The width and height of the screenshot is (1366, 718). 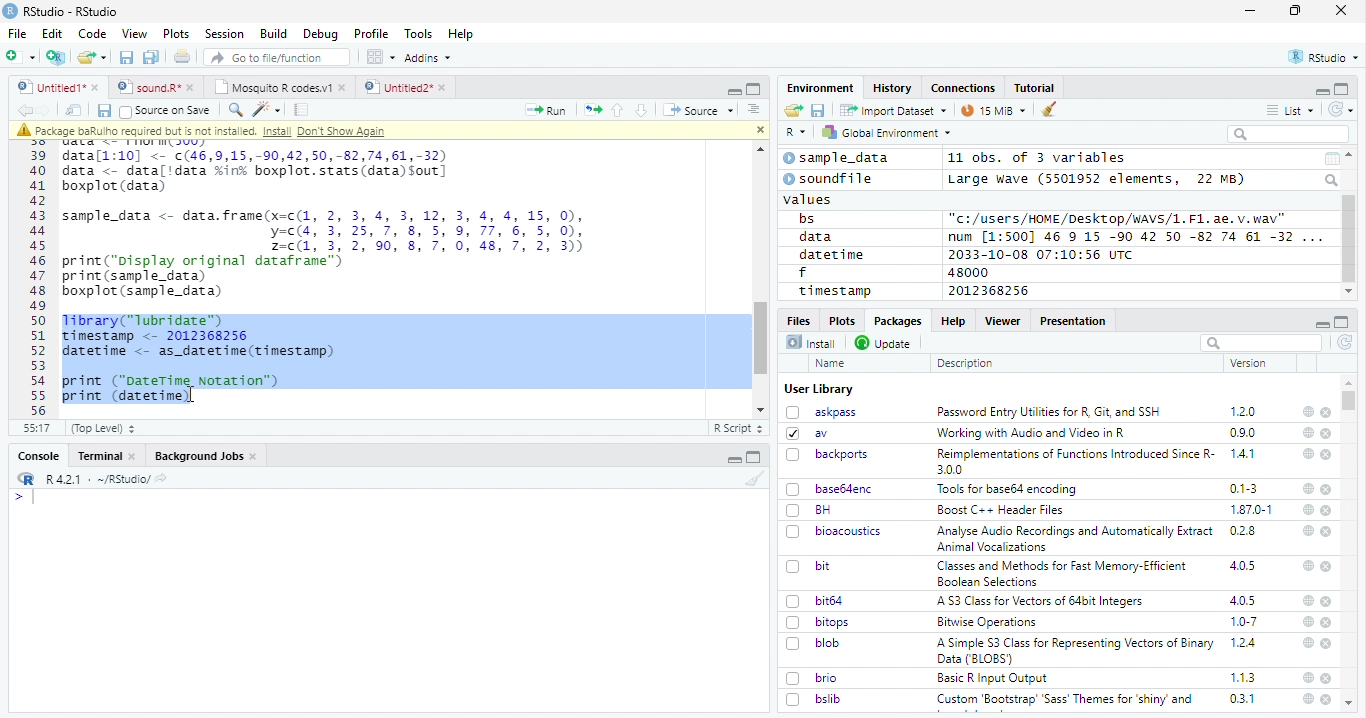 I want to click on Large wave (5501952 elements, 22 MB), so click(x=1099, y=179).